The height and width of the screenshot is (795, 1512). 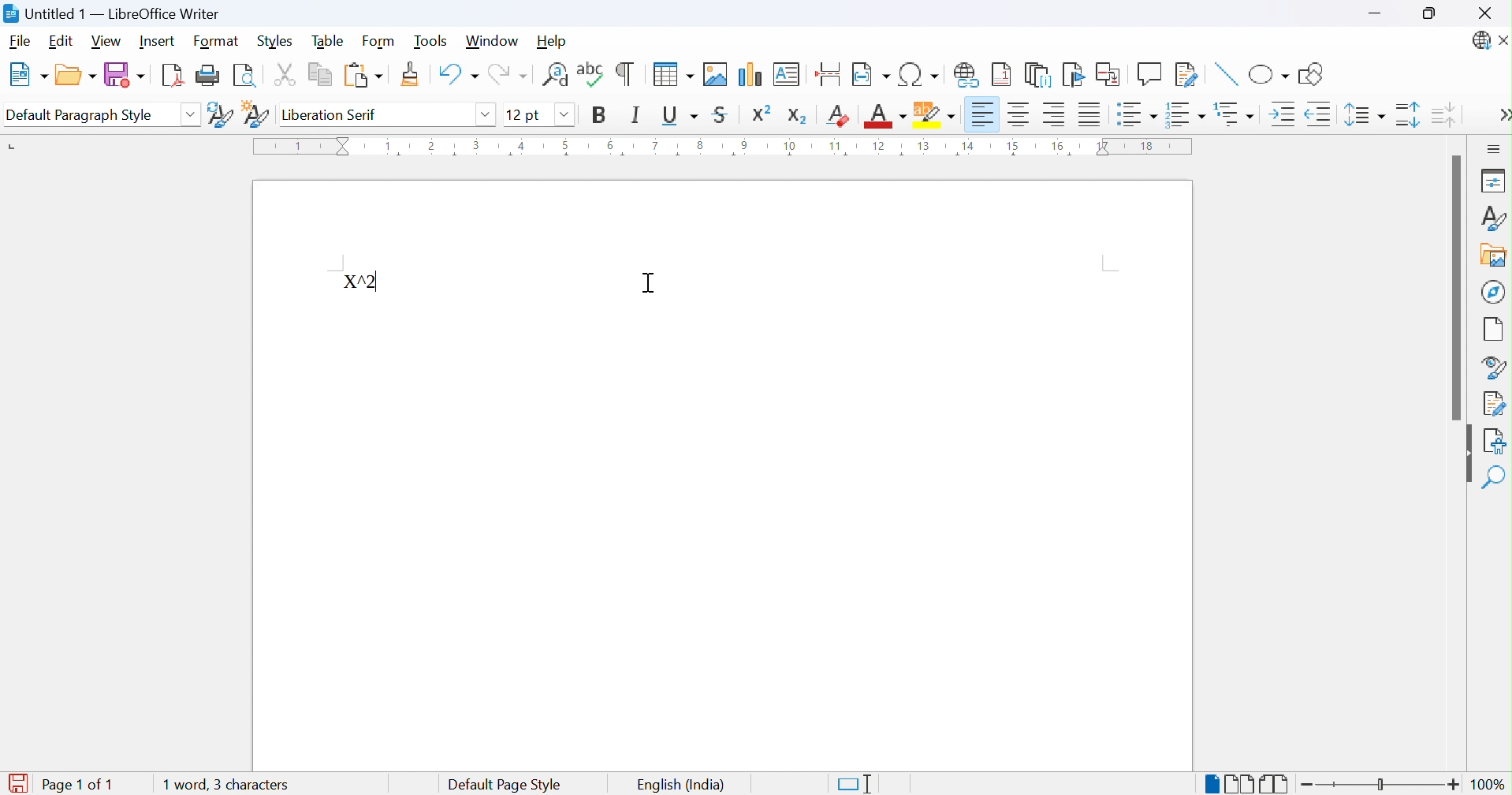 I want to click on Properties, so click(x=1495, y=182).